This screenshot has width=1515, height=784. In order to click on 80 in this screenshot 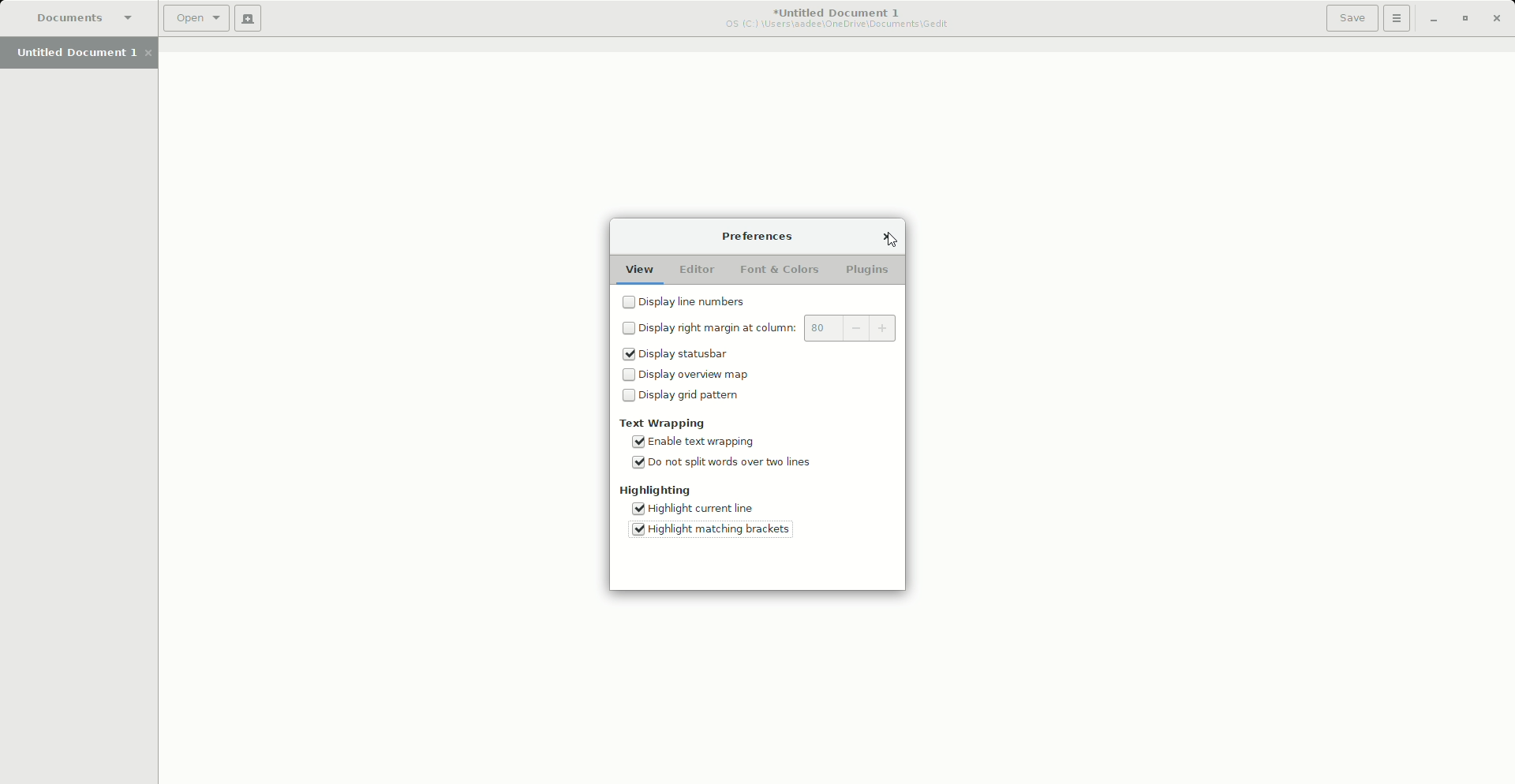, I will do `click(851, 328)`.